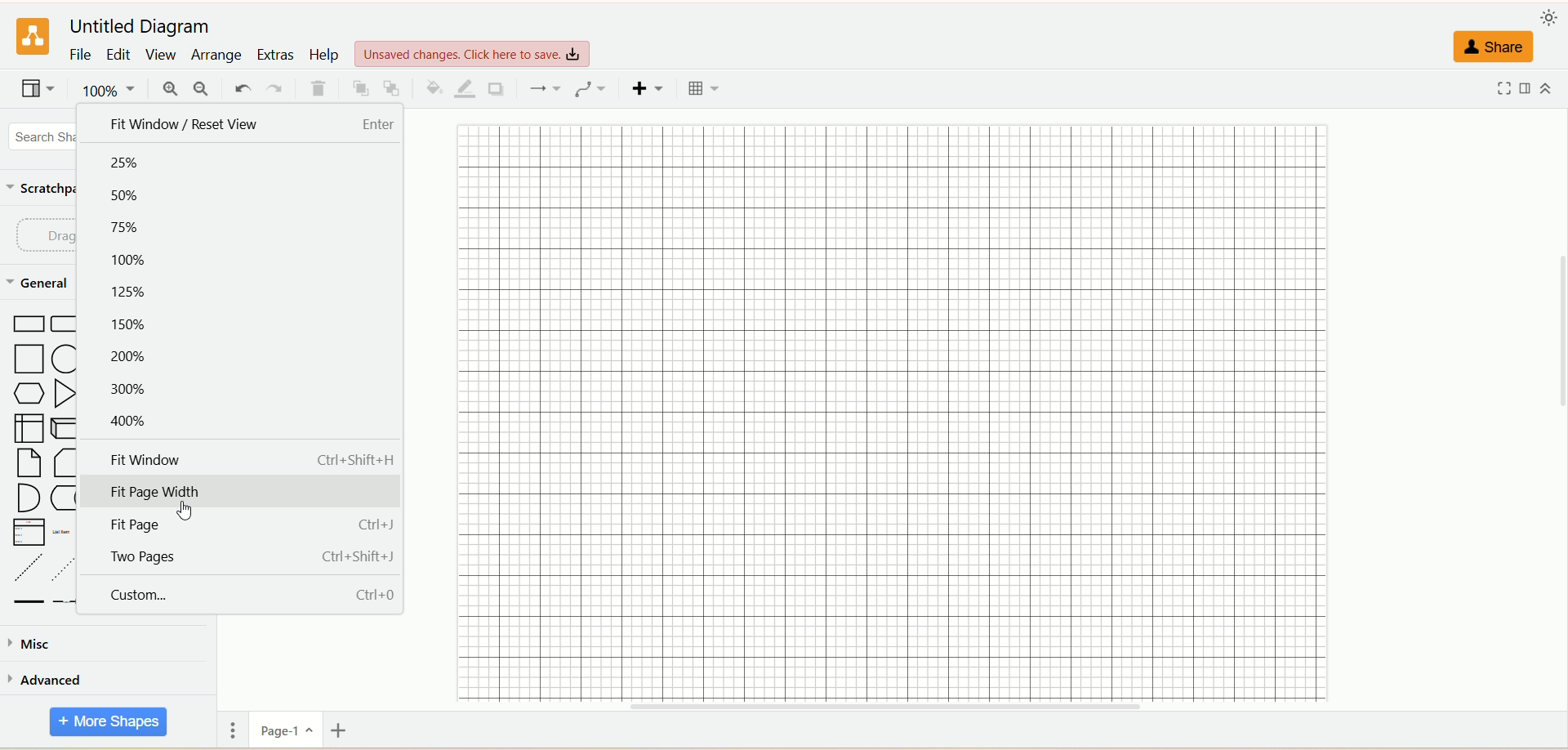 This screenshot has width=1568, height=750. I want to click on rounded rectangle, so click(64, 323).